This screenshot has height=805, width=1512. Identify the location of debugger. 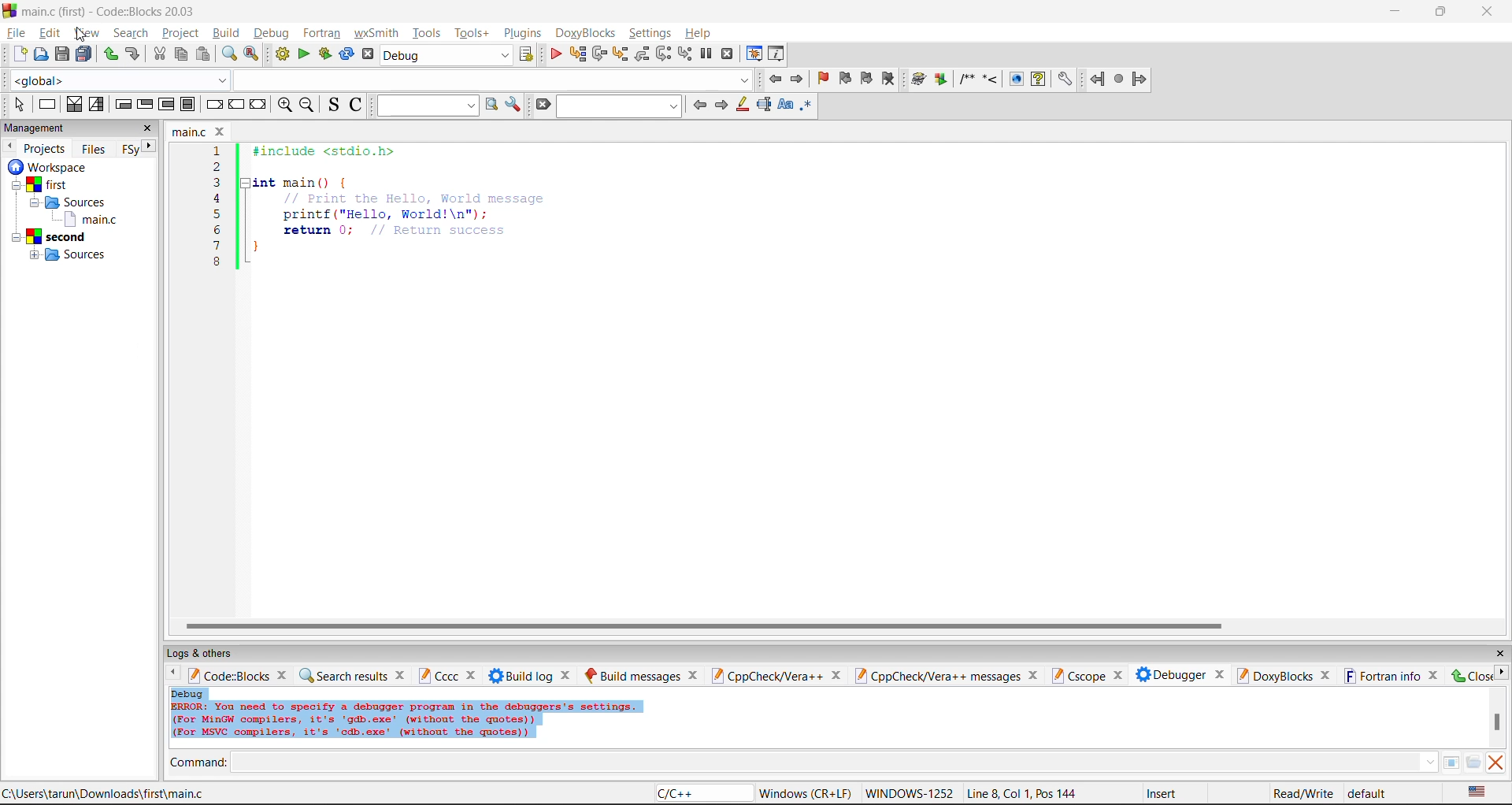
(1180, 676).